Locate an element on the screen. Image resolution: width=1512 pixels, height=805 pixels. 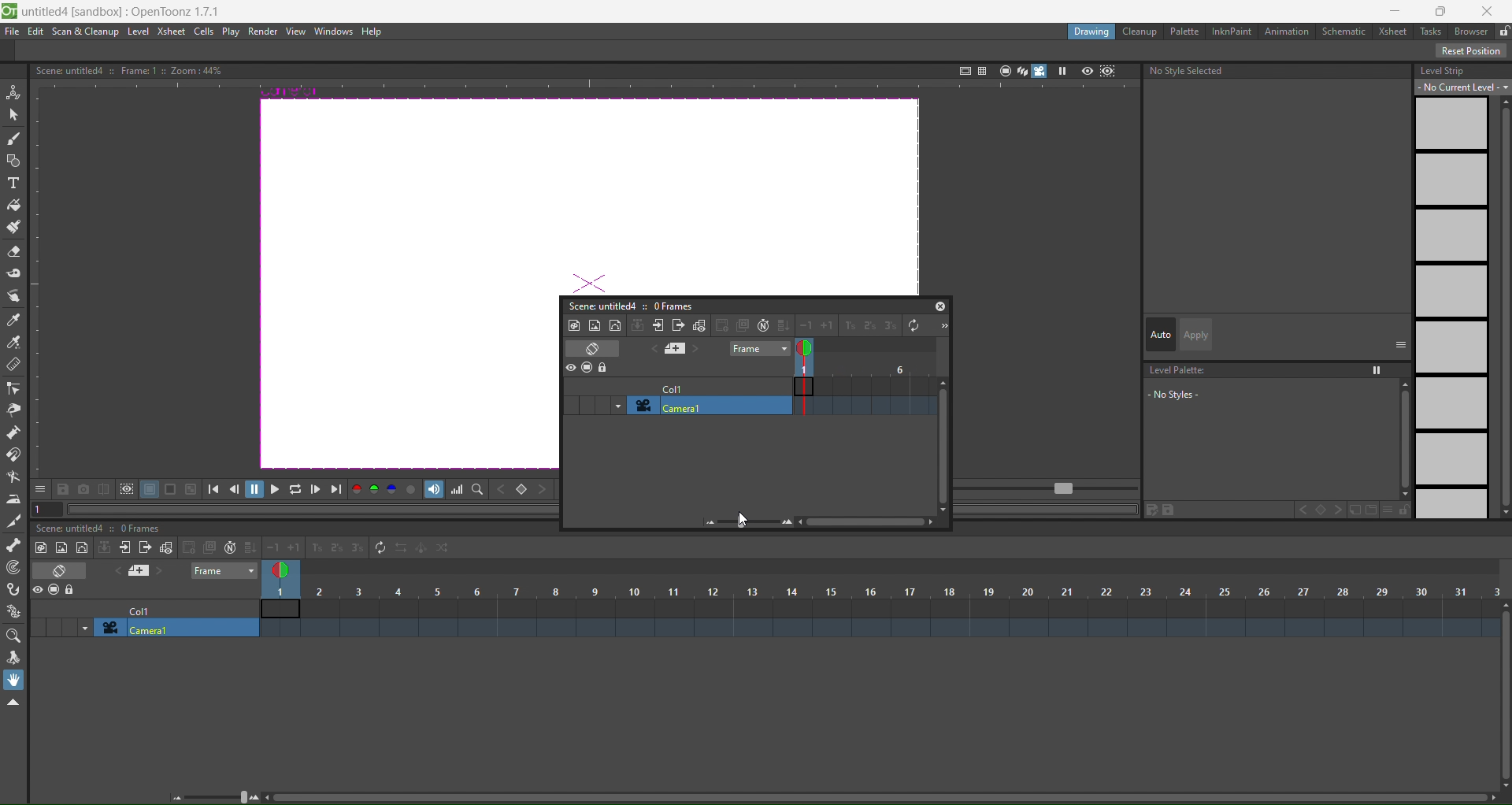
new toonz raster level is located at coordinates (574, 325).